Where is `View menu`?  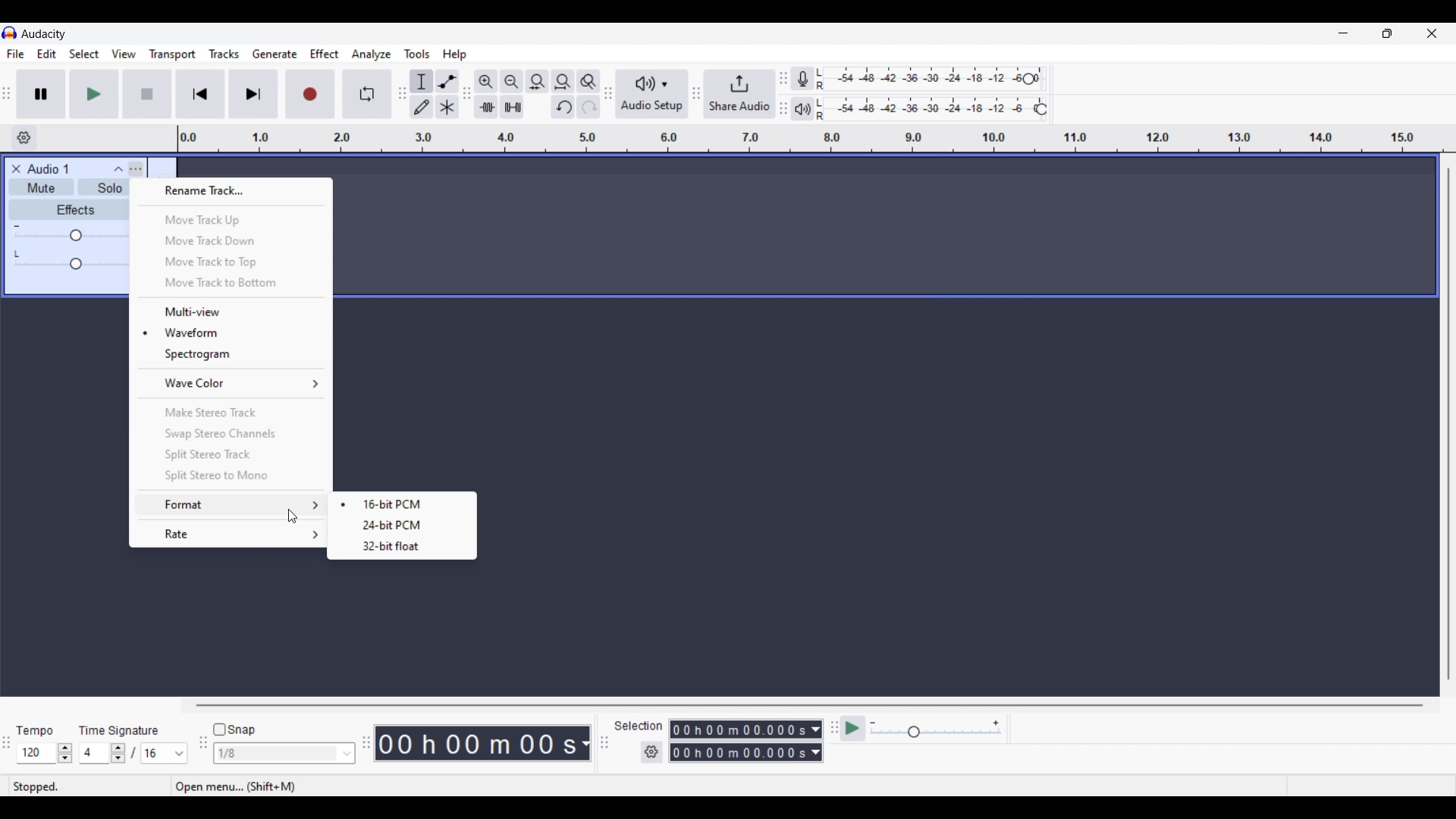
View menu is located at coordinates (124, 54).